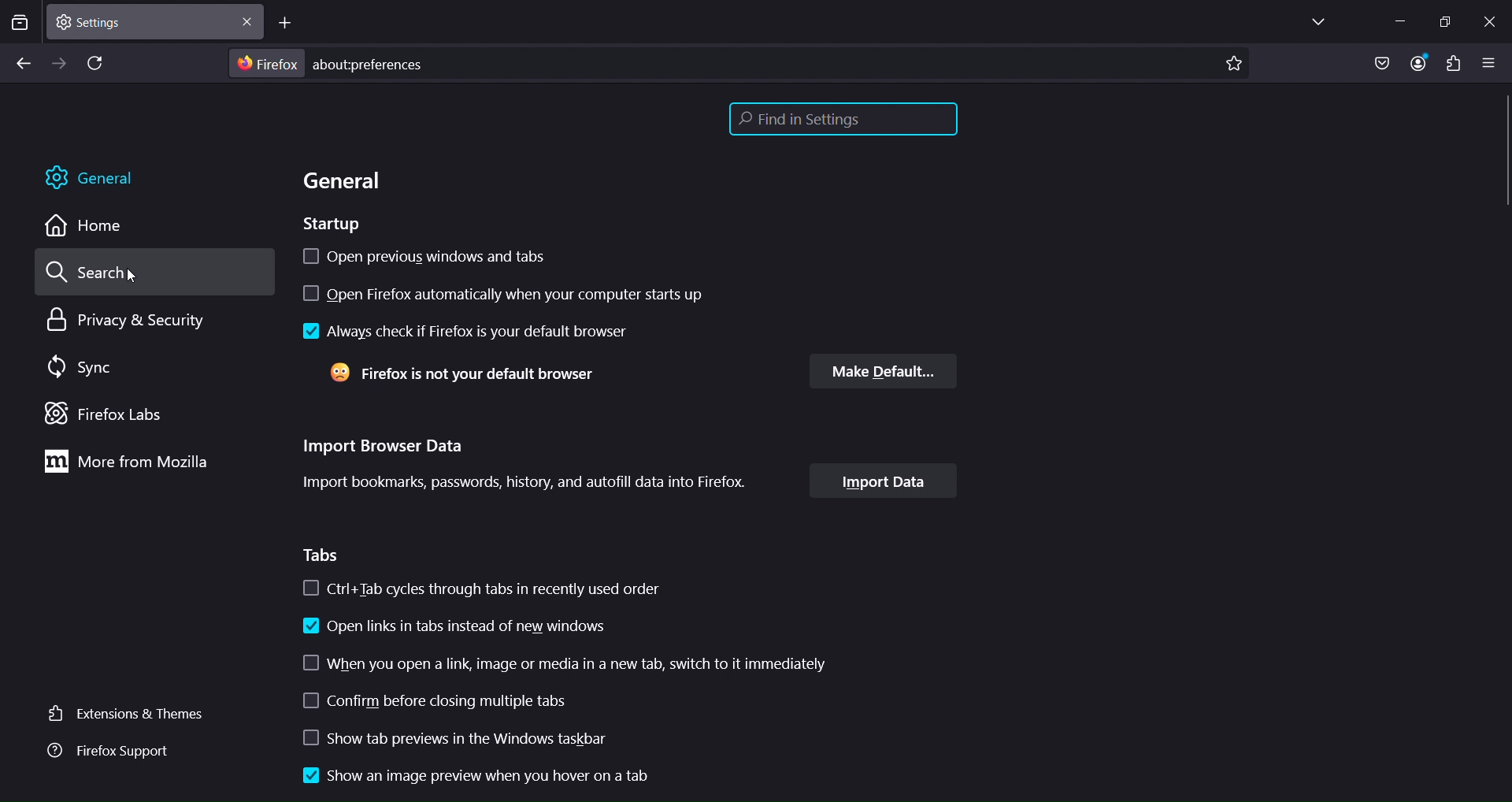 The image size is (1512, 802). Describe the element at coordinates (1315, 22) in the screenshot. I see `list all tabs` at that location.